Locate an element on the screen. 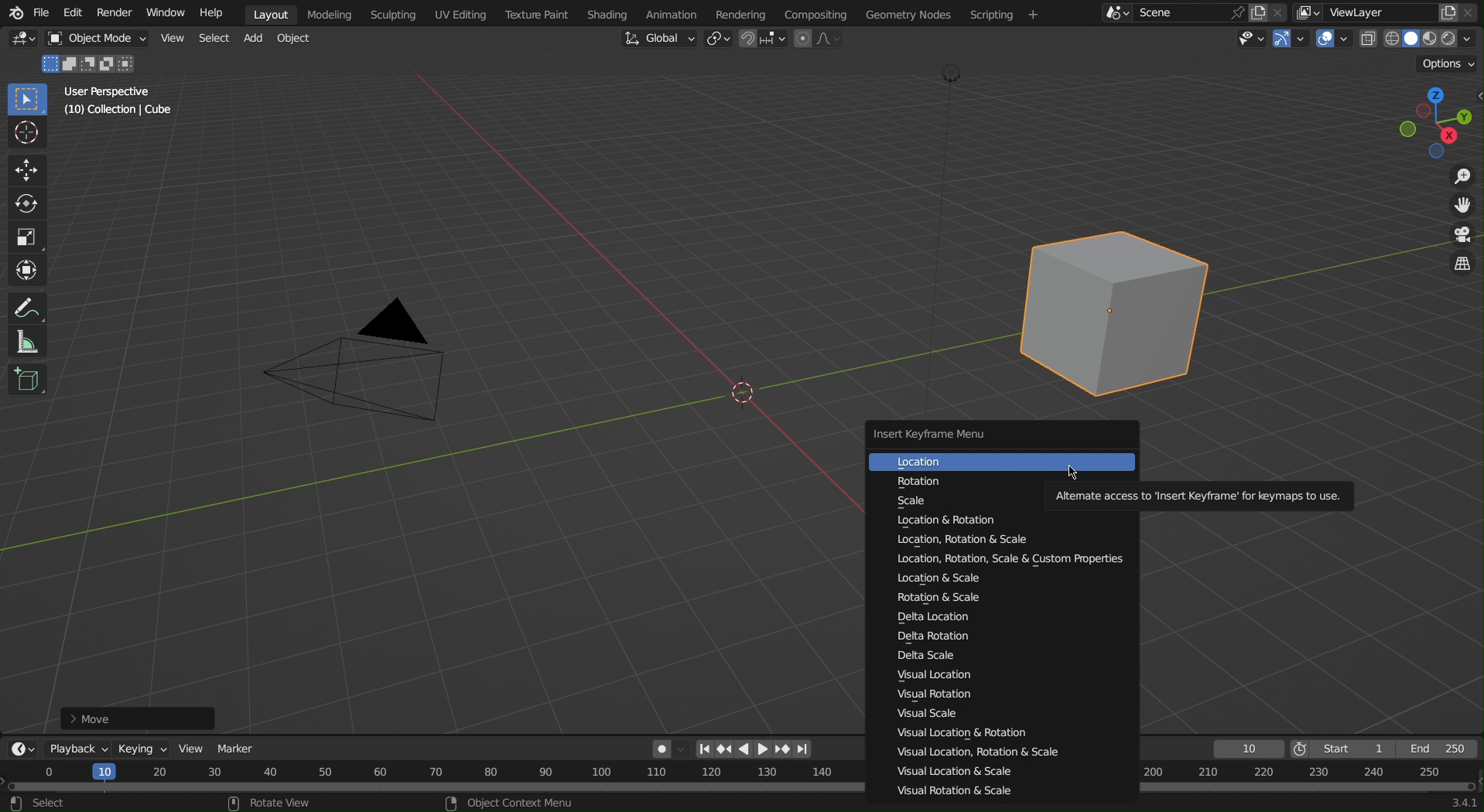 The image size is (1484, 812). Scene is located at coordinates (1171, 13).